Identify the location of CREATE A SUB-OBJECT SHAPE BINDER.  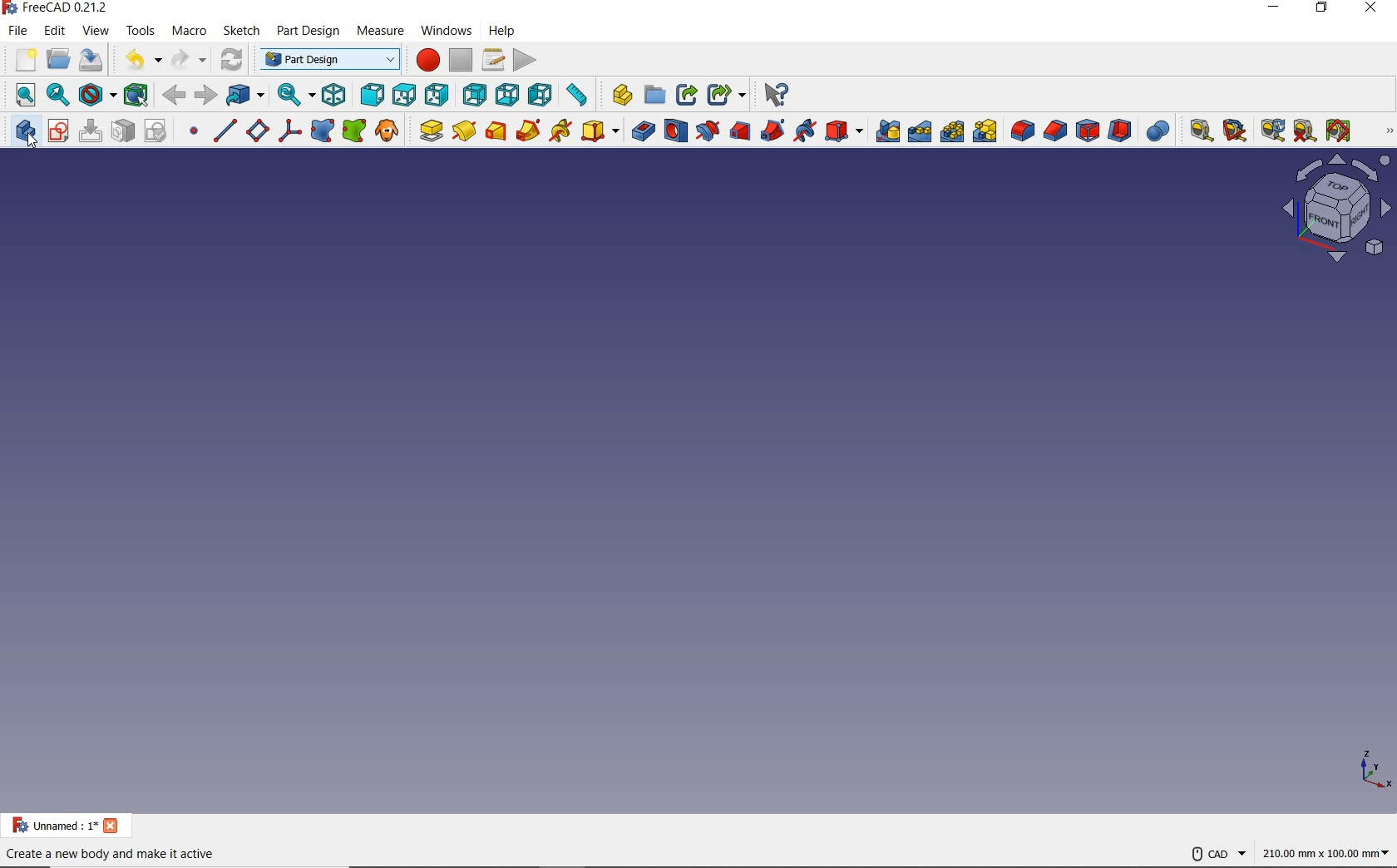
(355, 130).